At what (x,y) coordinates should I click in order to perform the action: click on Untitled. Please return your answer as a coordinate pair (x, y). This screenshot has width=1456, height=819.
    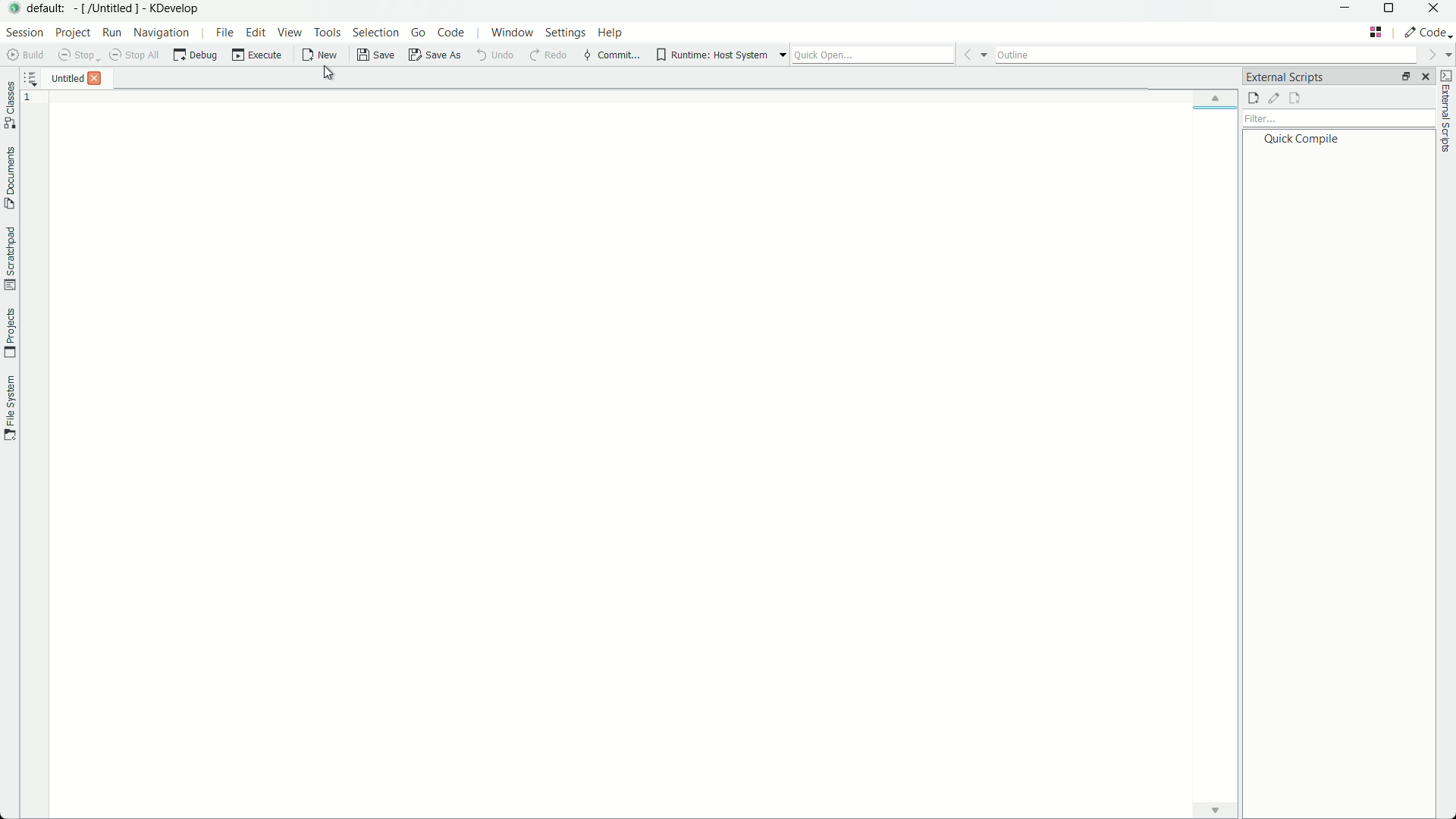
    Looking at the image, I should click on (55, 77).